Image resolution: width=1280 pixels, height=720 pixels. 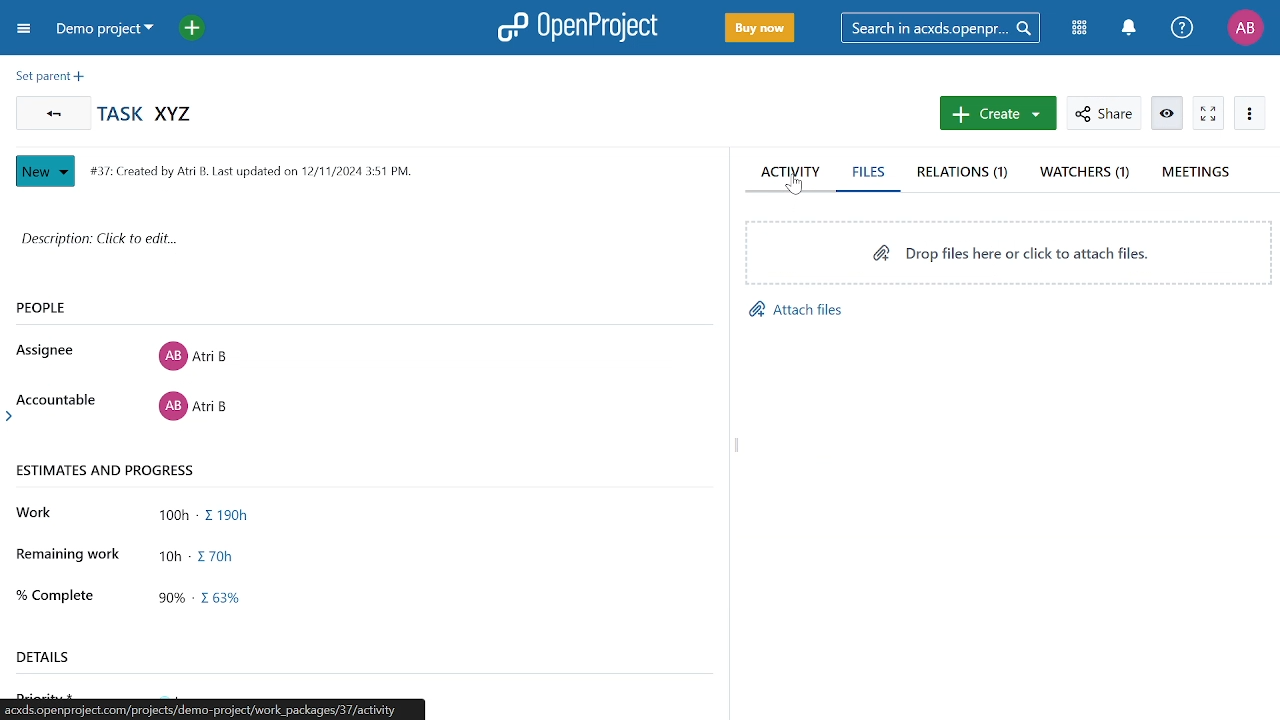 I want to click on Go back, so click(x=52, y=113).